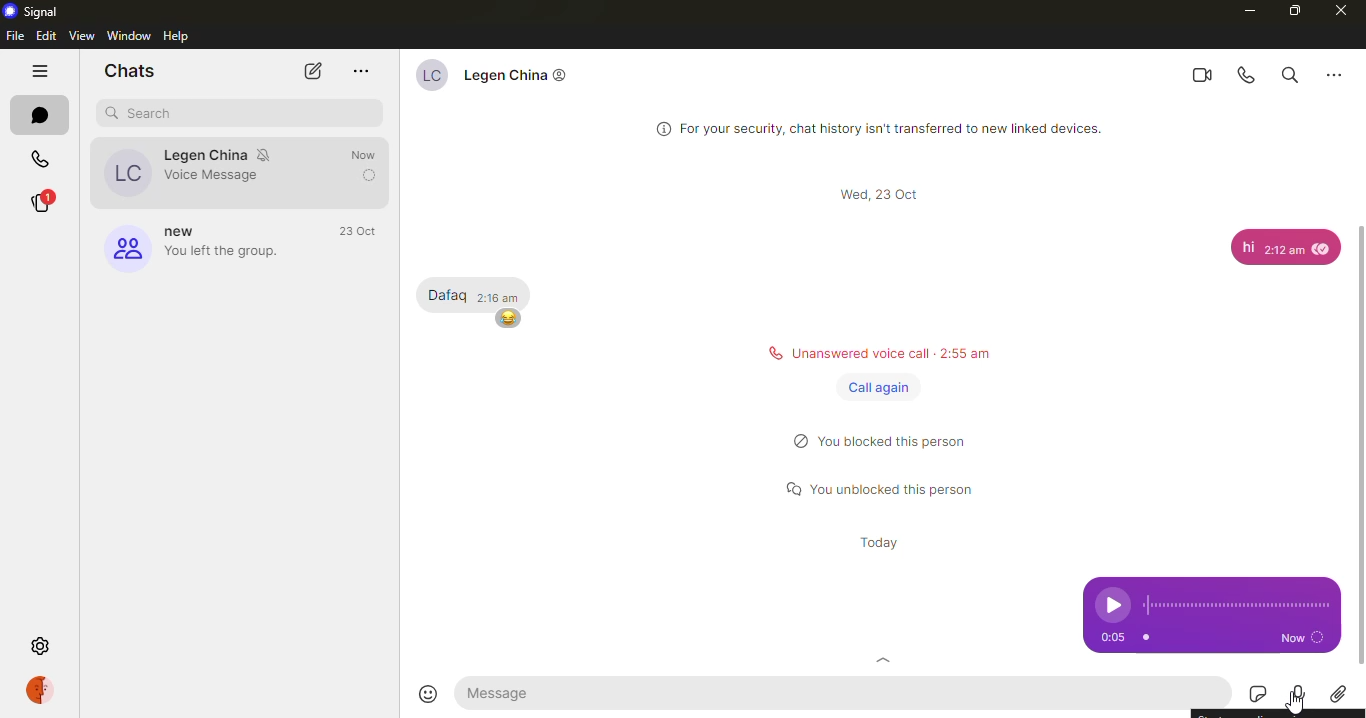  Describe the element at coordinates (129, 73) in the screenshot. I see `chats` at that location.